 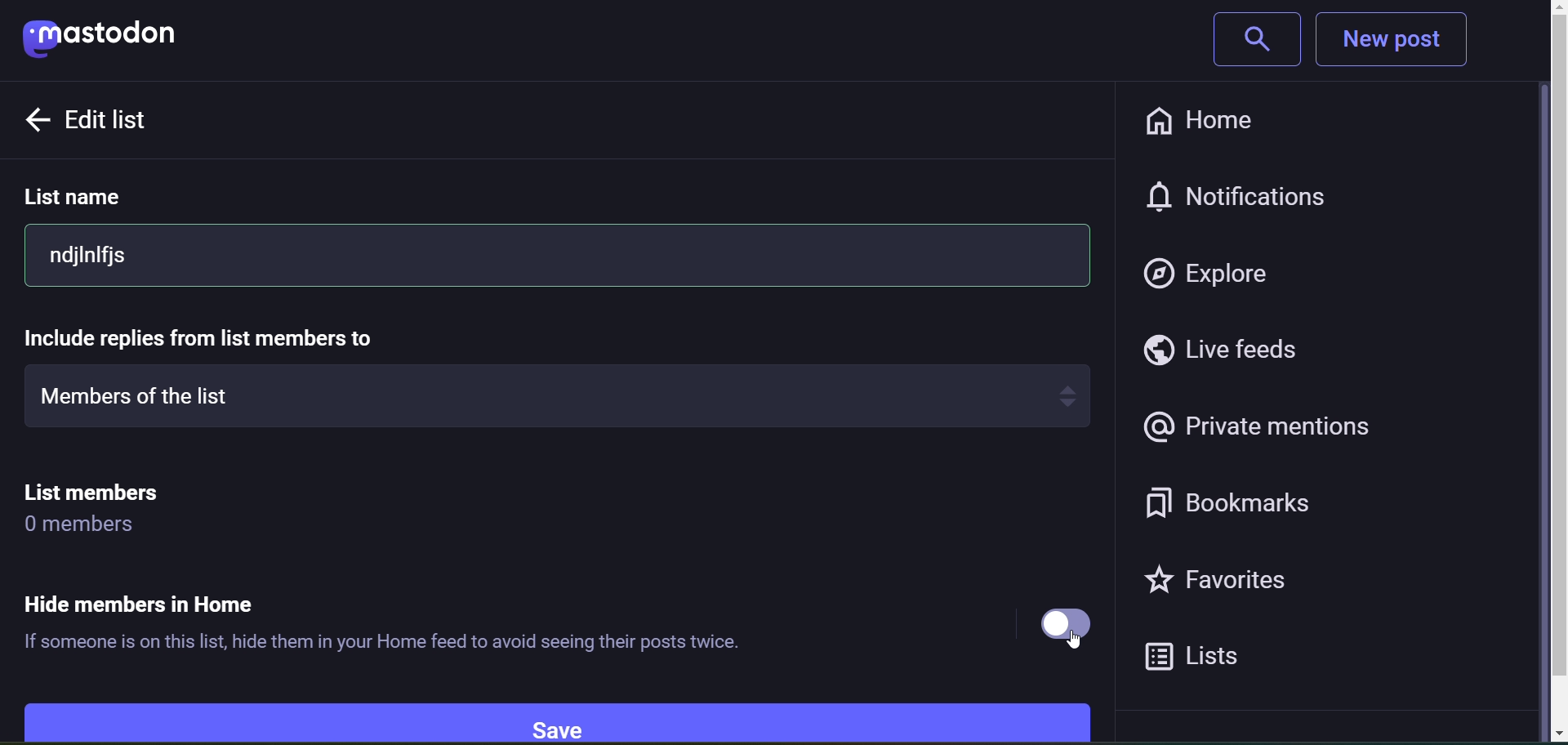 I want to click on new post, so click(x=1406, y=41).